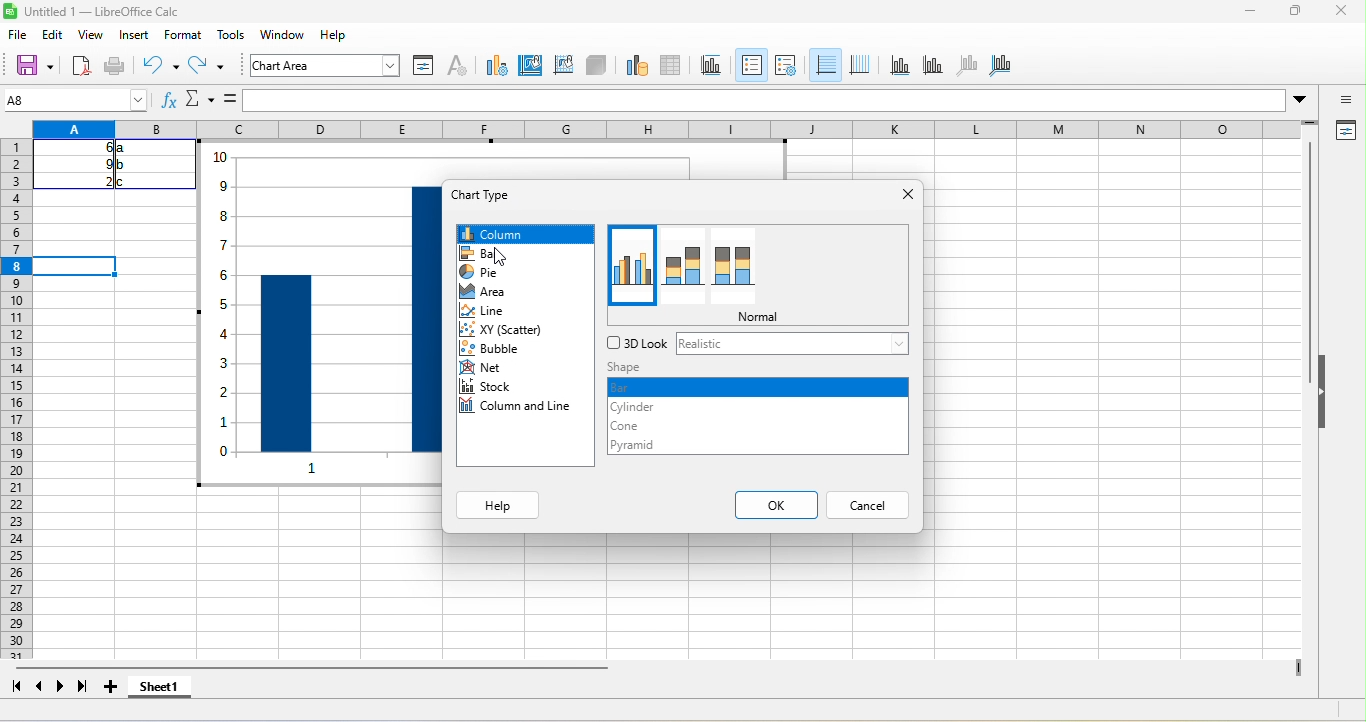 This screenshot has width=1366, height=722. What do you see at coordinates (595, 65) in the screenshot?
I see `3d view` at bounding box center [595, 65].